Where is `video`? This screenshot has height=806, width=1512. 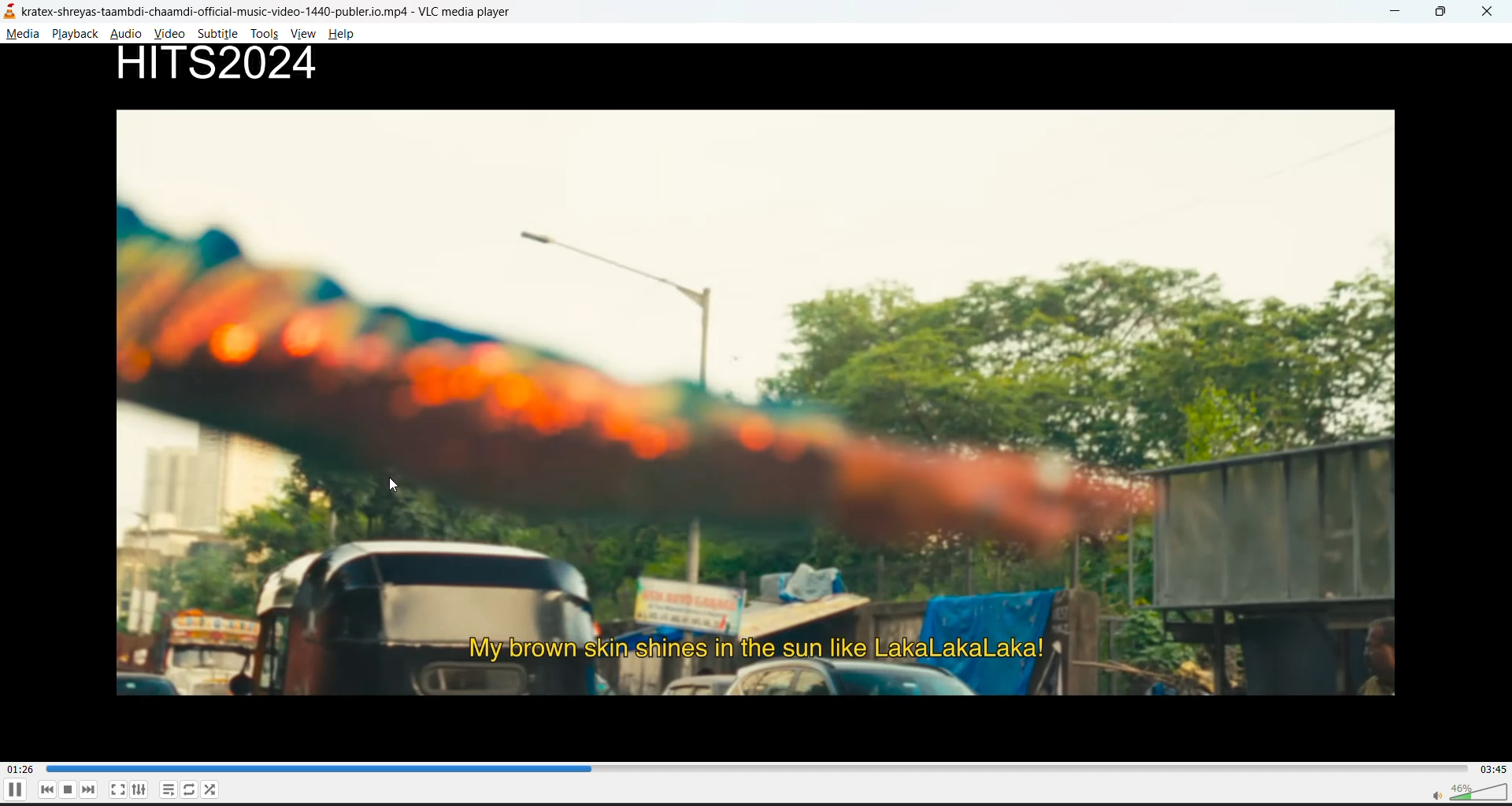
video is located at coordinates (172, 33).